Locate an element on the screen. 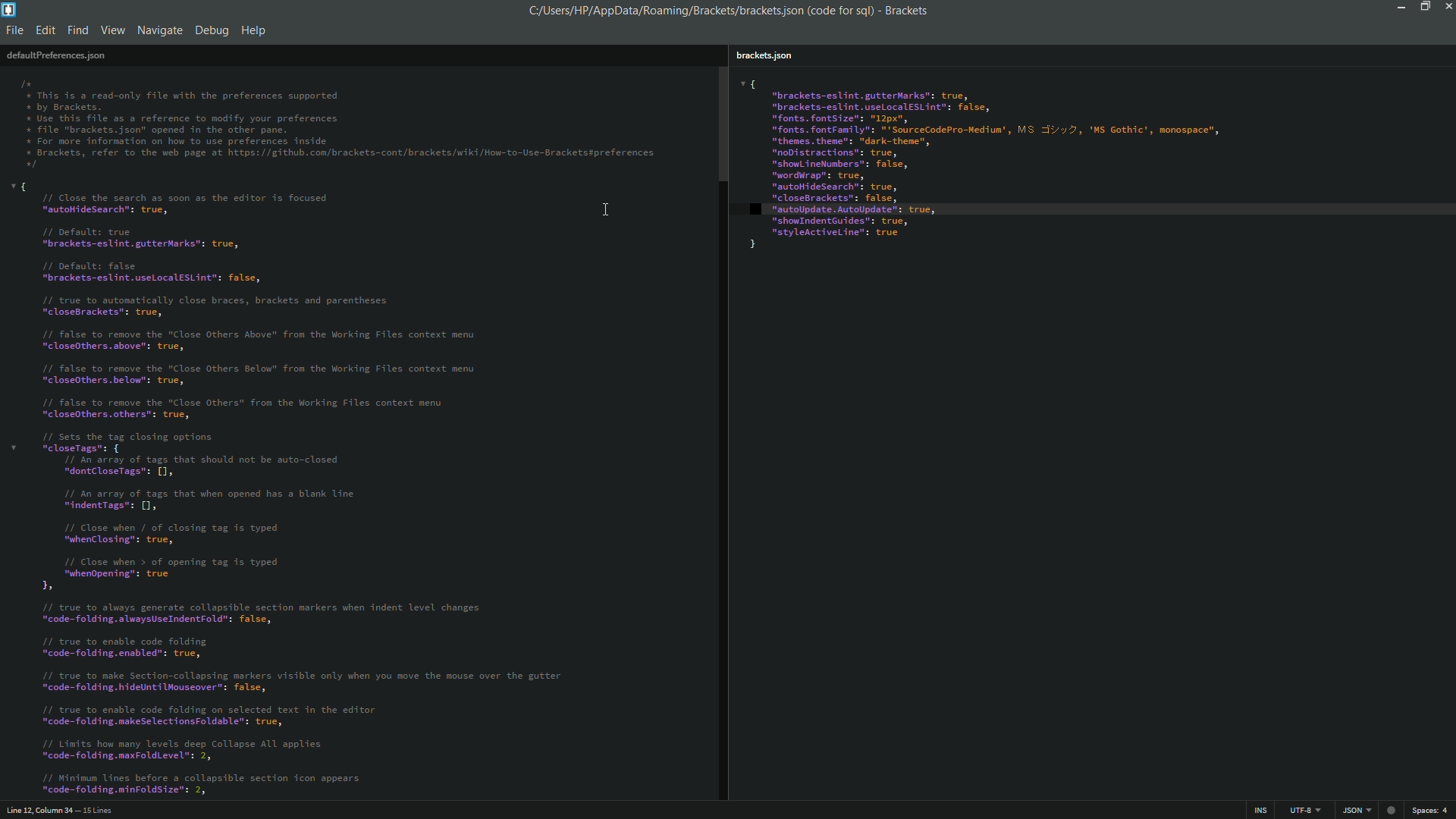  defaultpreferences.json is located at coordinates (55, 55).